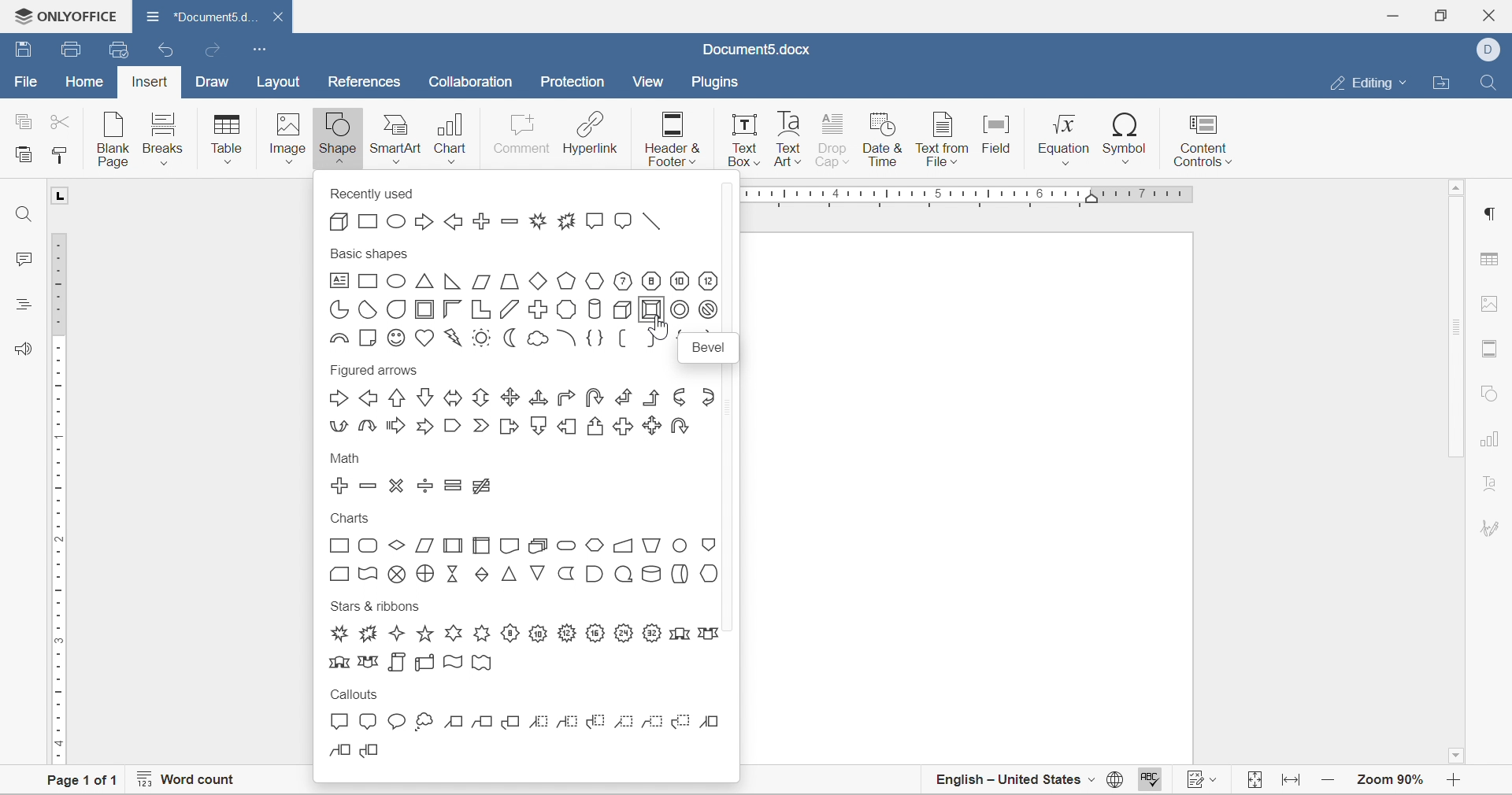 Image resolution: width=1512 pixels, height=795 pixels. What do you see at coordinates (1015, 778) in the screenshot?
I see `english - united states` at bounding box center [1015, 778].